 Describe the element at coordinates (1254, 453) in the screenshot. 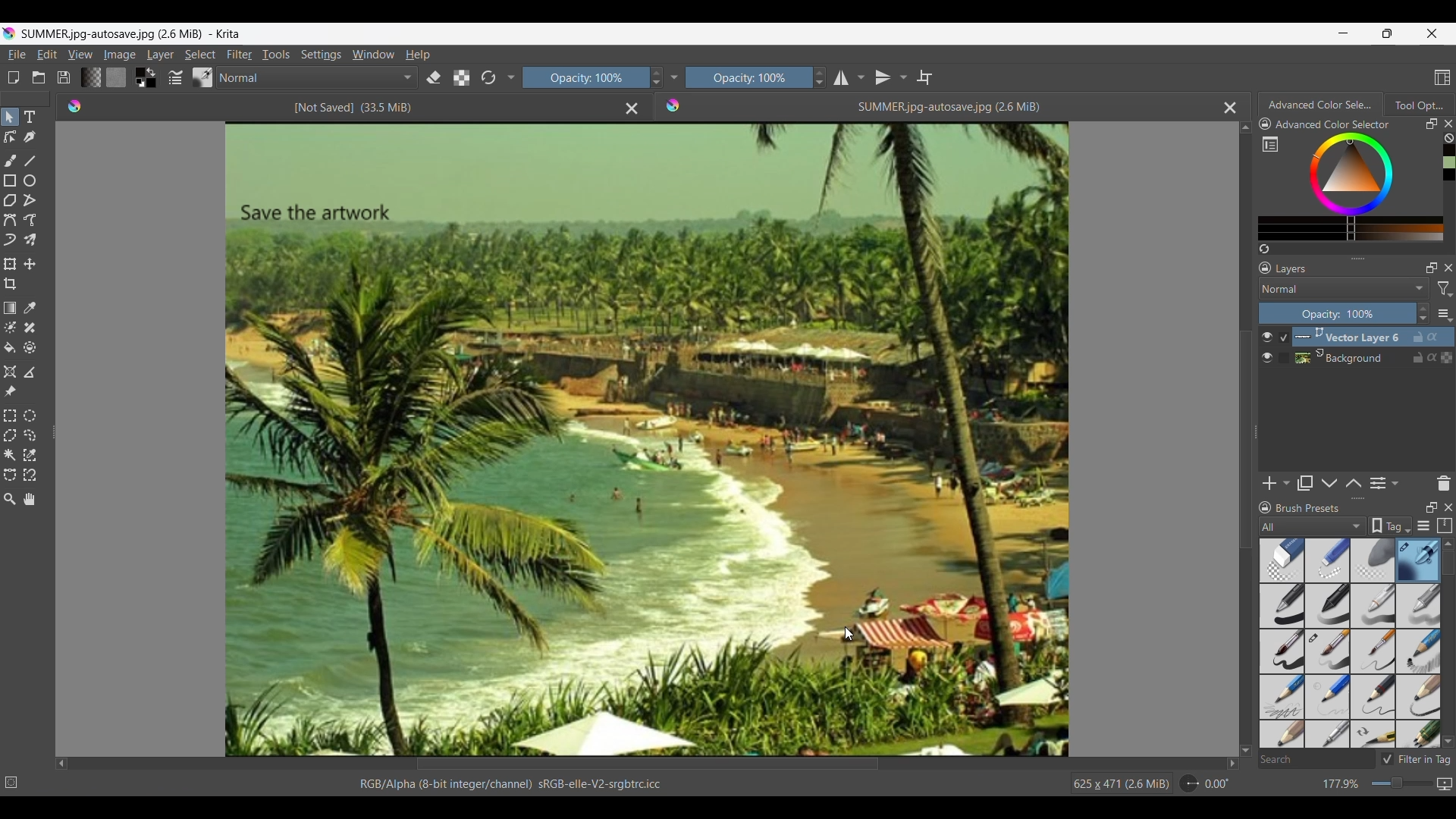

I see `Change width of panels attached to this line` at that location.